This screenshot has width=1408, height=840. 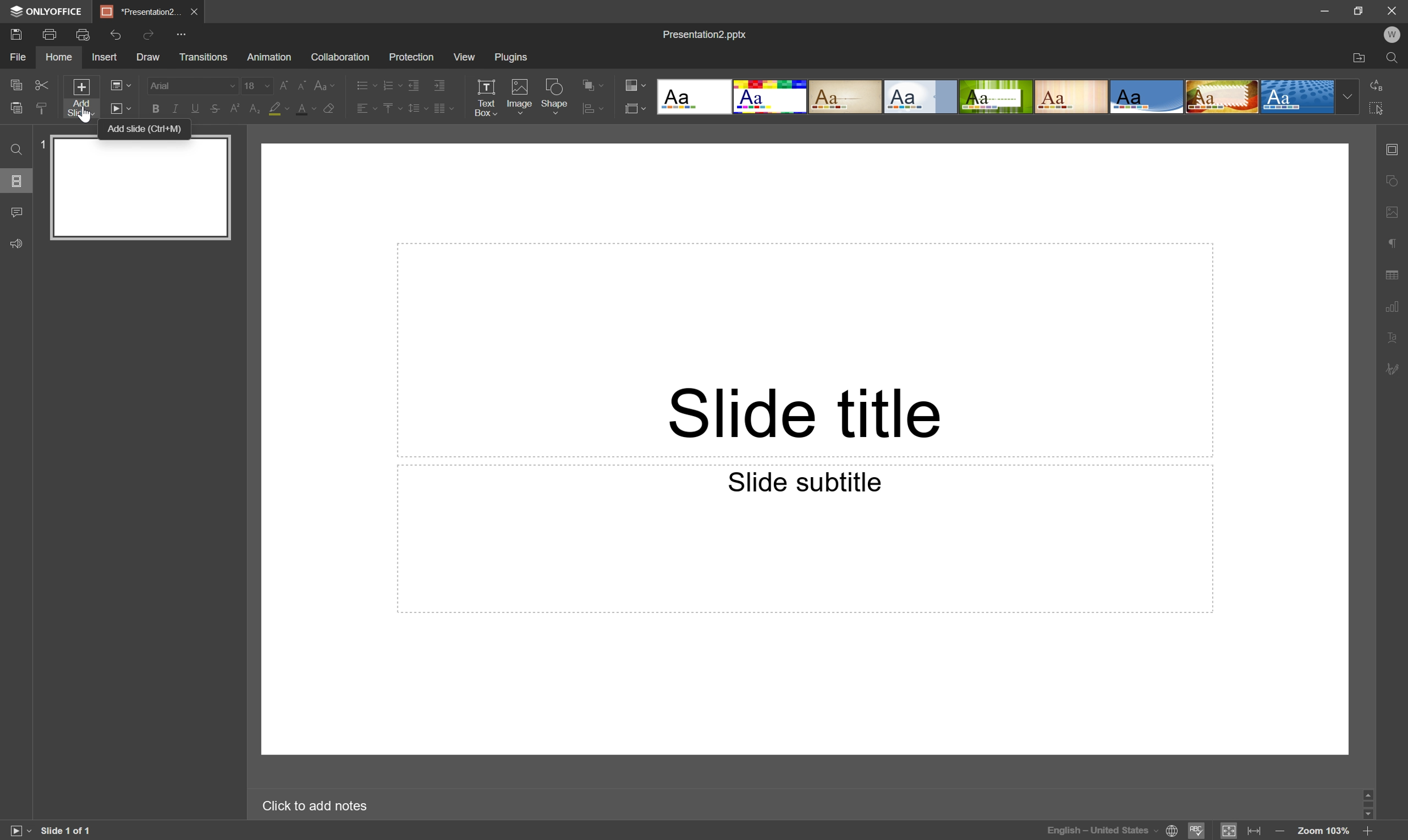 I want to click on Insert columns, so click(x=444, y=109).